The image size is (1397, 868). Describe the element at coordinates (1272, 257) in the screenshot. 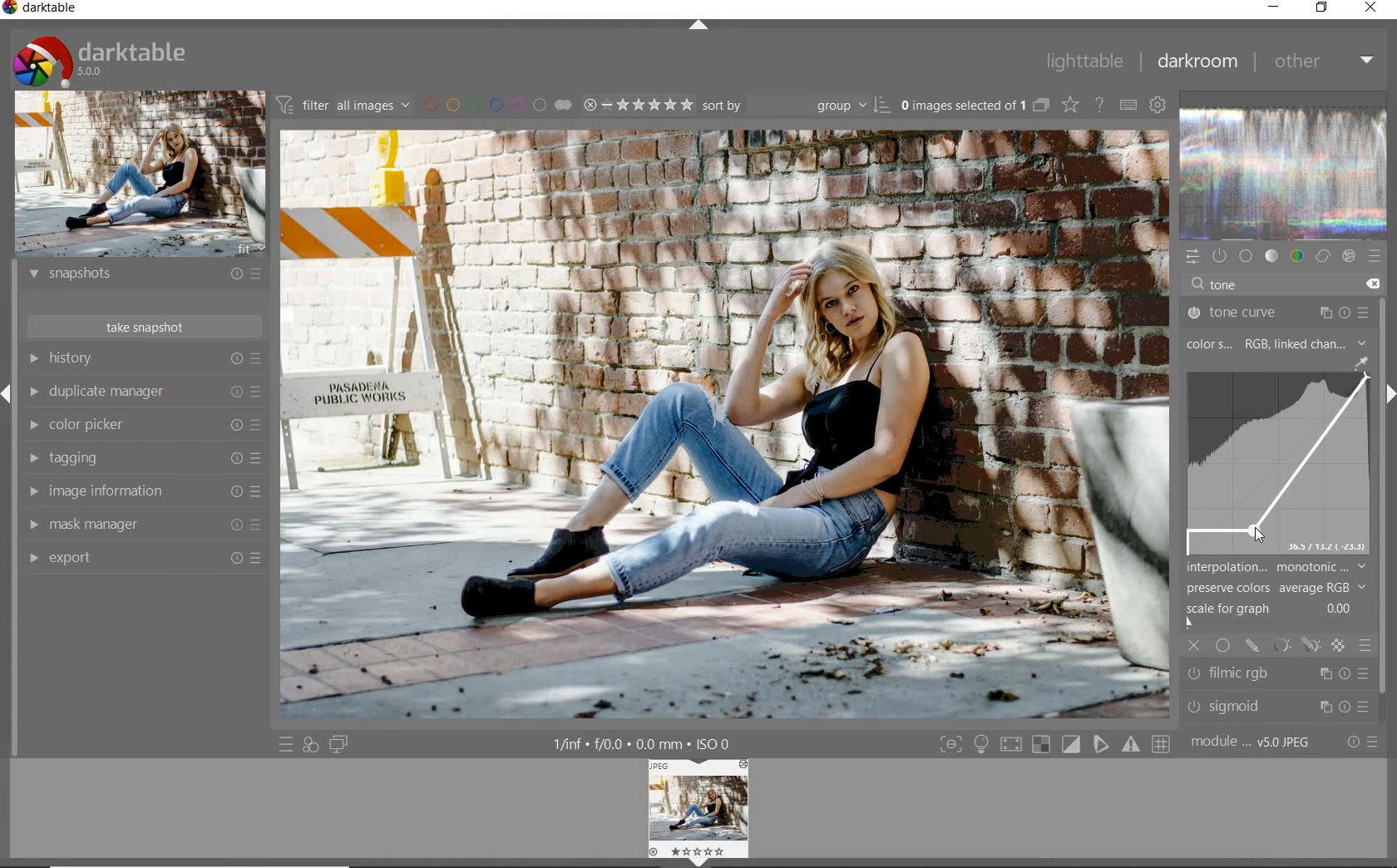

I see `tone` at that location.